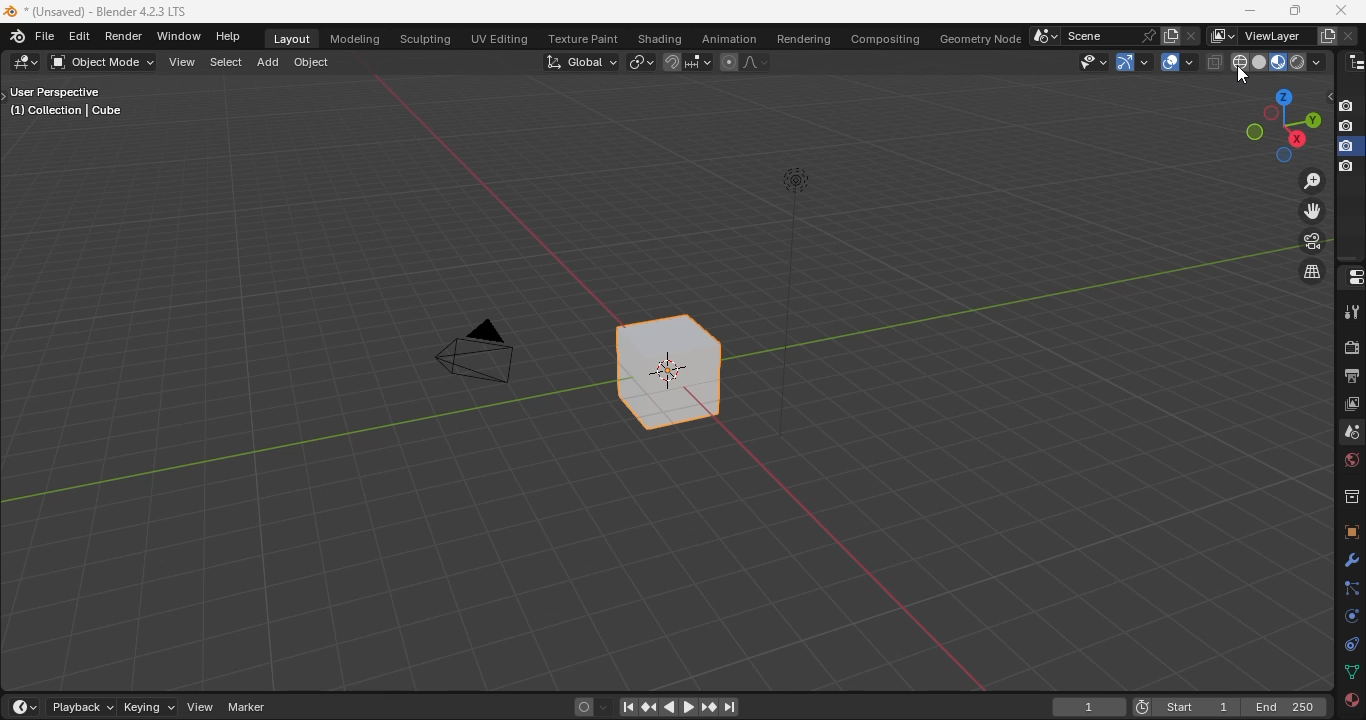 This screenshot has height=720, width=1366. What do you see at coordinates (1299, 62) in the screenshot?
I see `rendered display` at bounding box center [1299, 62].